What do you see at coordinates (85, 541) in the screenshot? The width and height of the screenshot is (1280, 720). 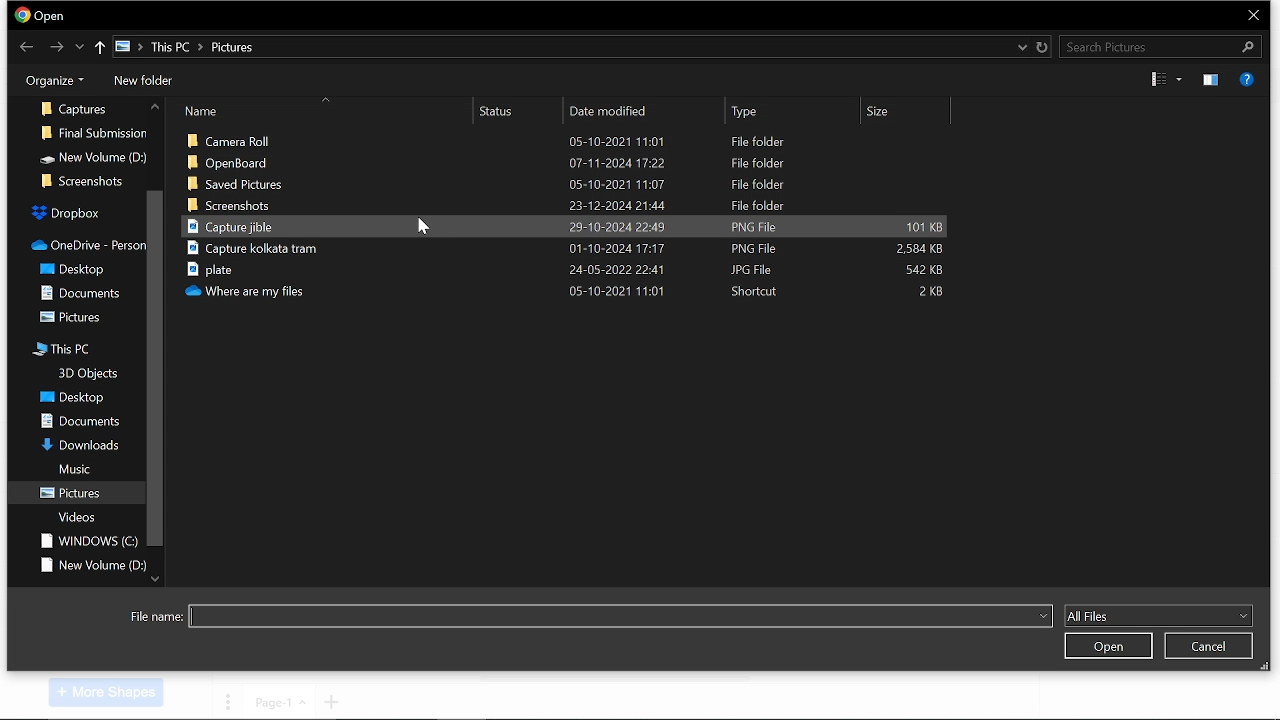 I see `folders` at bounding box center [85, 541].